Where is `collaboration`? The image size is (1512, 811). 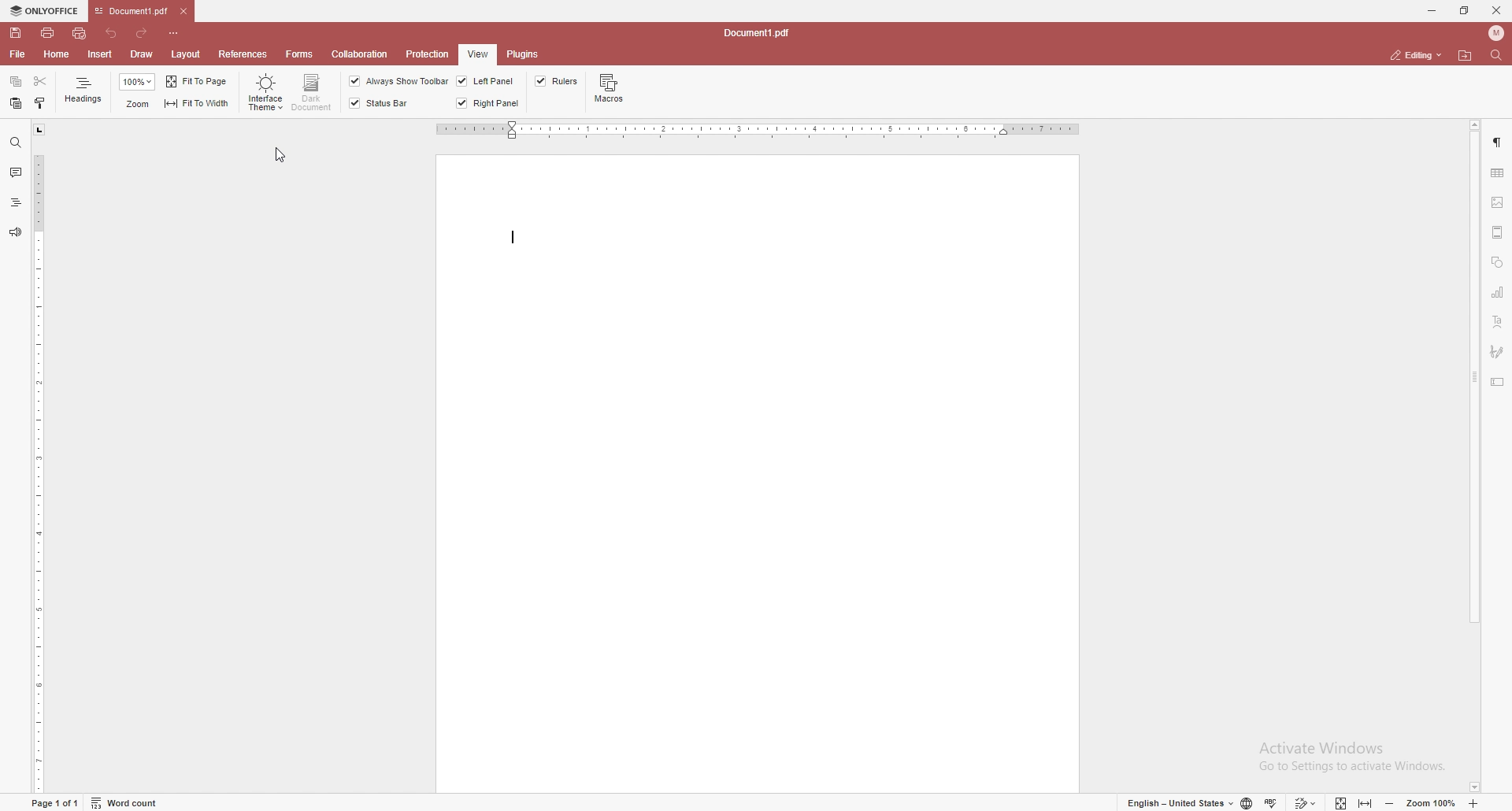
collaboration is located at coordinates (360, 54).